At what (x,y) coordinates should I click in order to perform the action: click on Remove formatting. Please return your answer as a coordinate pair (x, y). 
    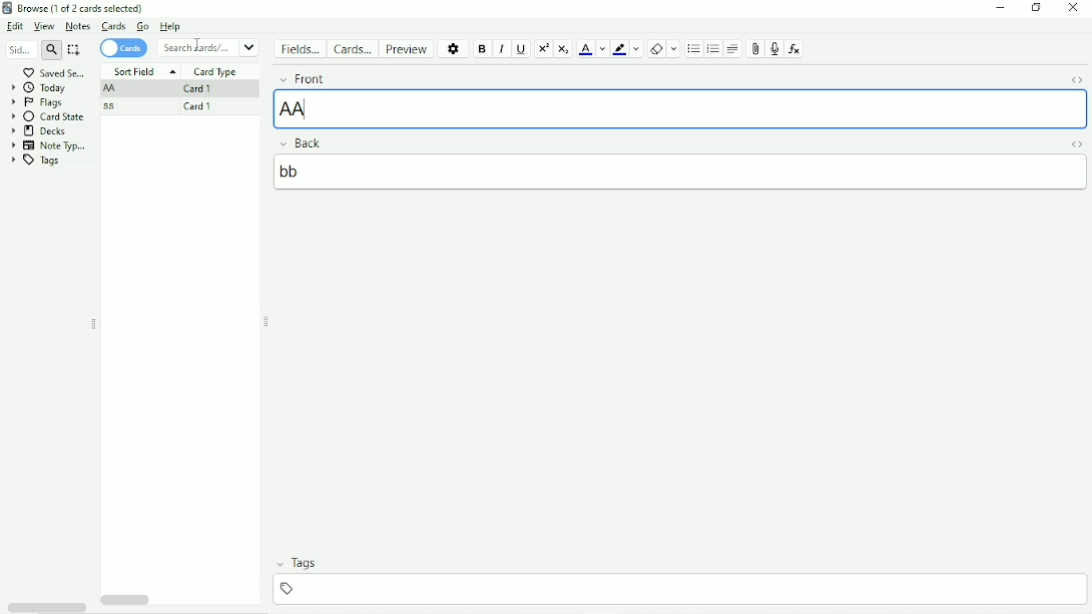
    Looking at the image, I should click on (656, 49).